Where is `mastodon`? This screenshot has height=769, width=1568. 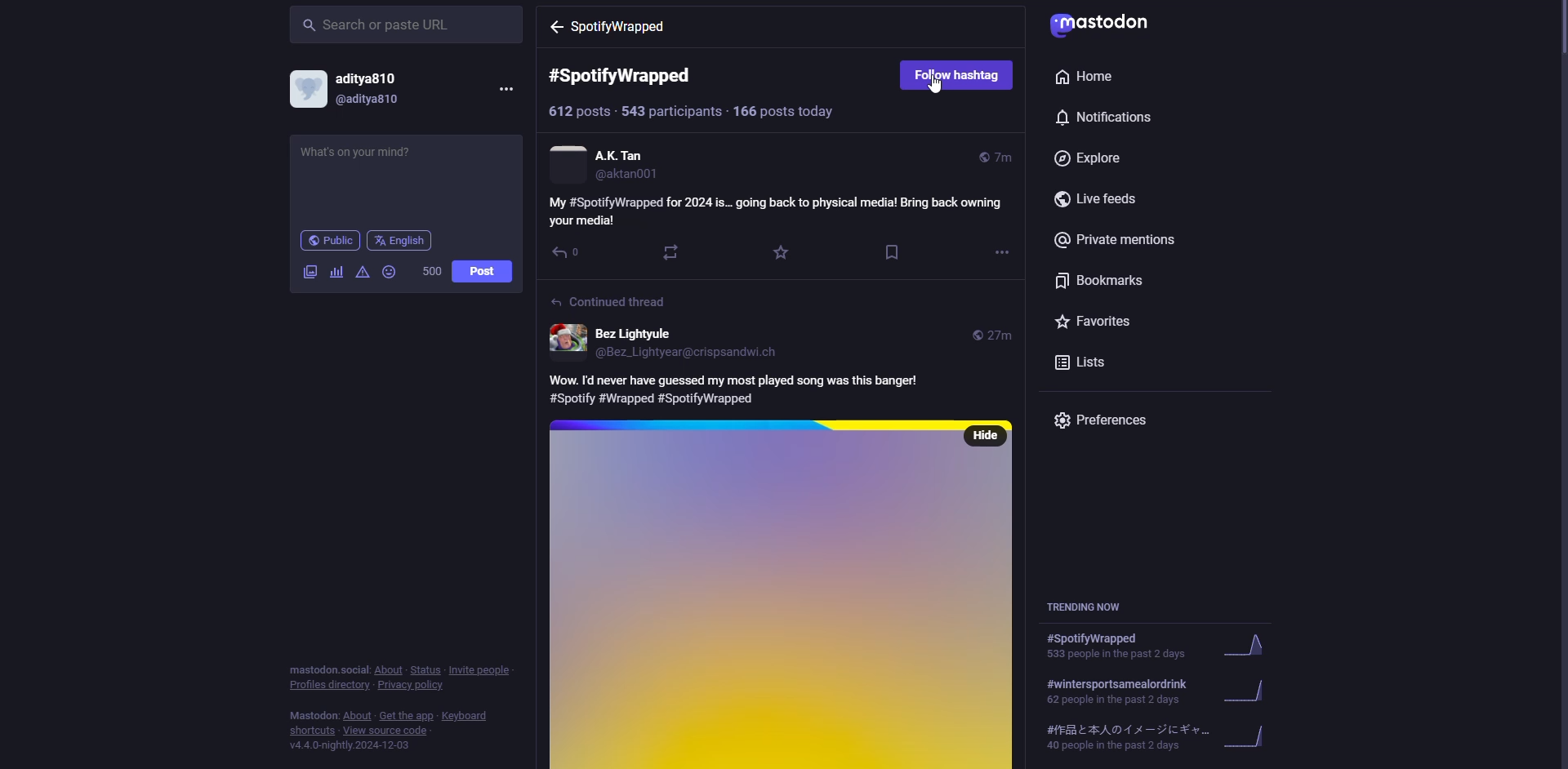
mastodon is located at coordinates (1108, 24).